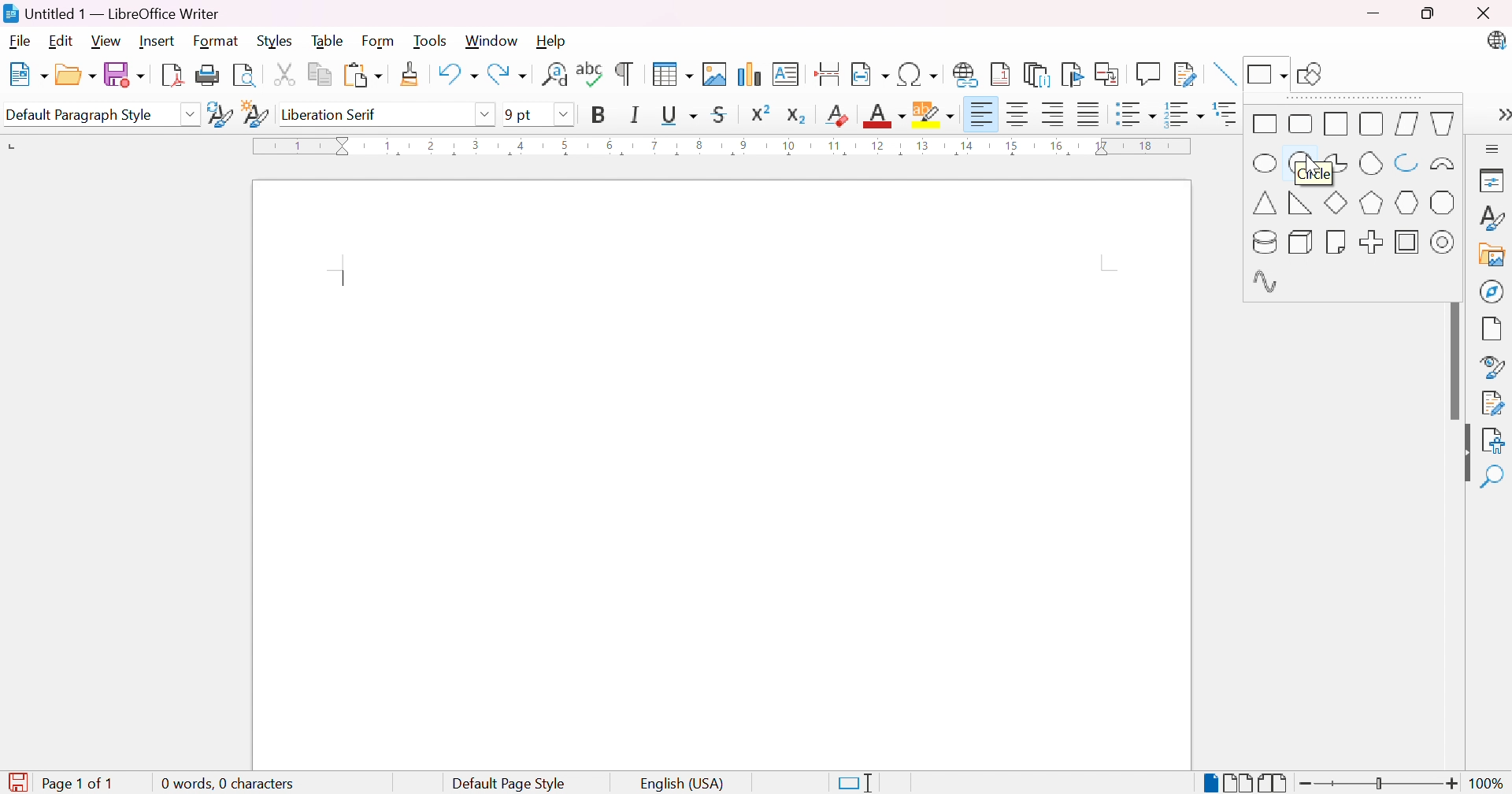 This screenshot has width=1512, height=794. Describe the element at coordinates (273, 42) in the screenshot. I see `Styles` at that location.